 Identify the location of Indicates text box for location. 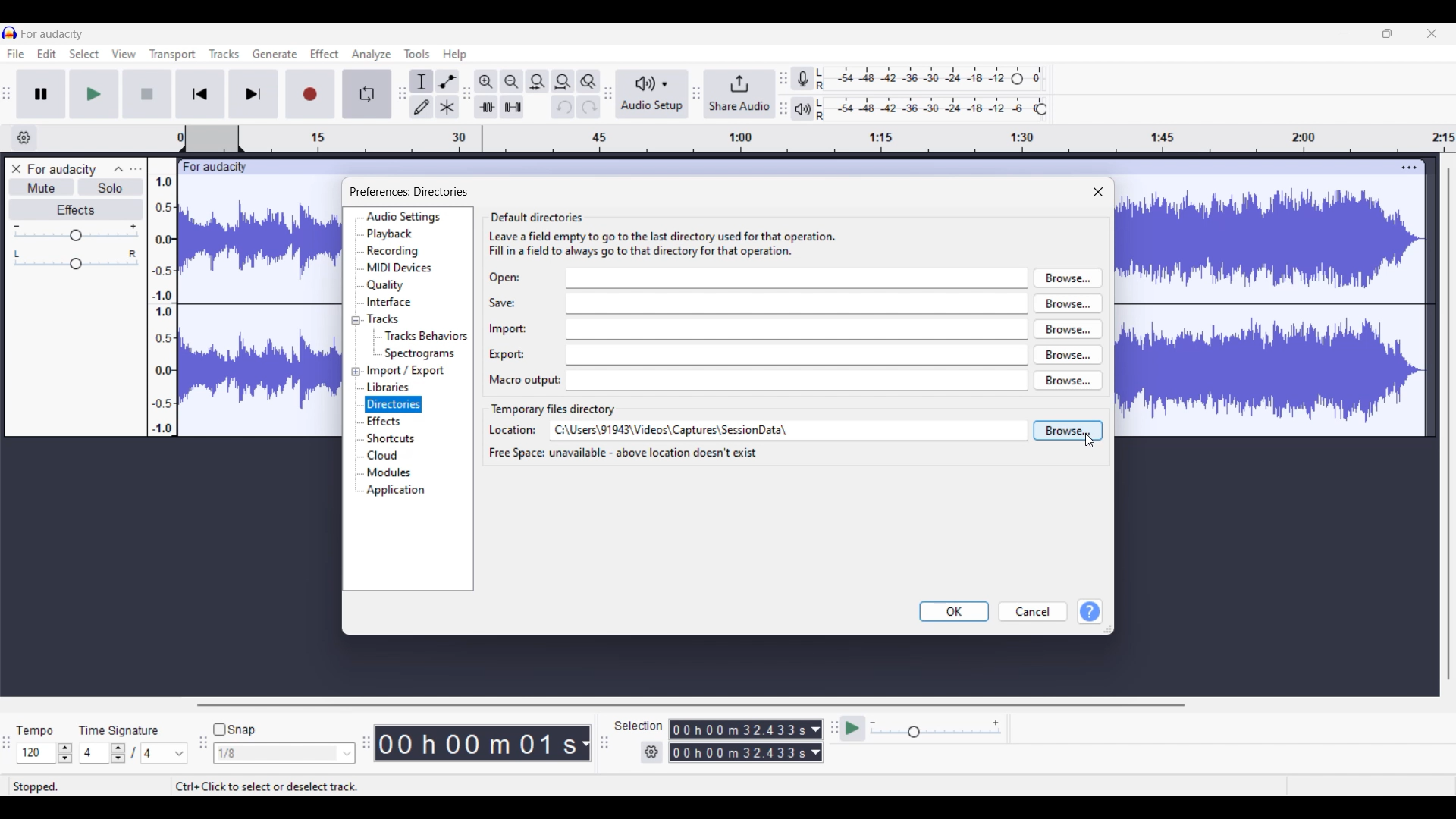
(513, 429).